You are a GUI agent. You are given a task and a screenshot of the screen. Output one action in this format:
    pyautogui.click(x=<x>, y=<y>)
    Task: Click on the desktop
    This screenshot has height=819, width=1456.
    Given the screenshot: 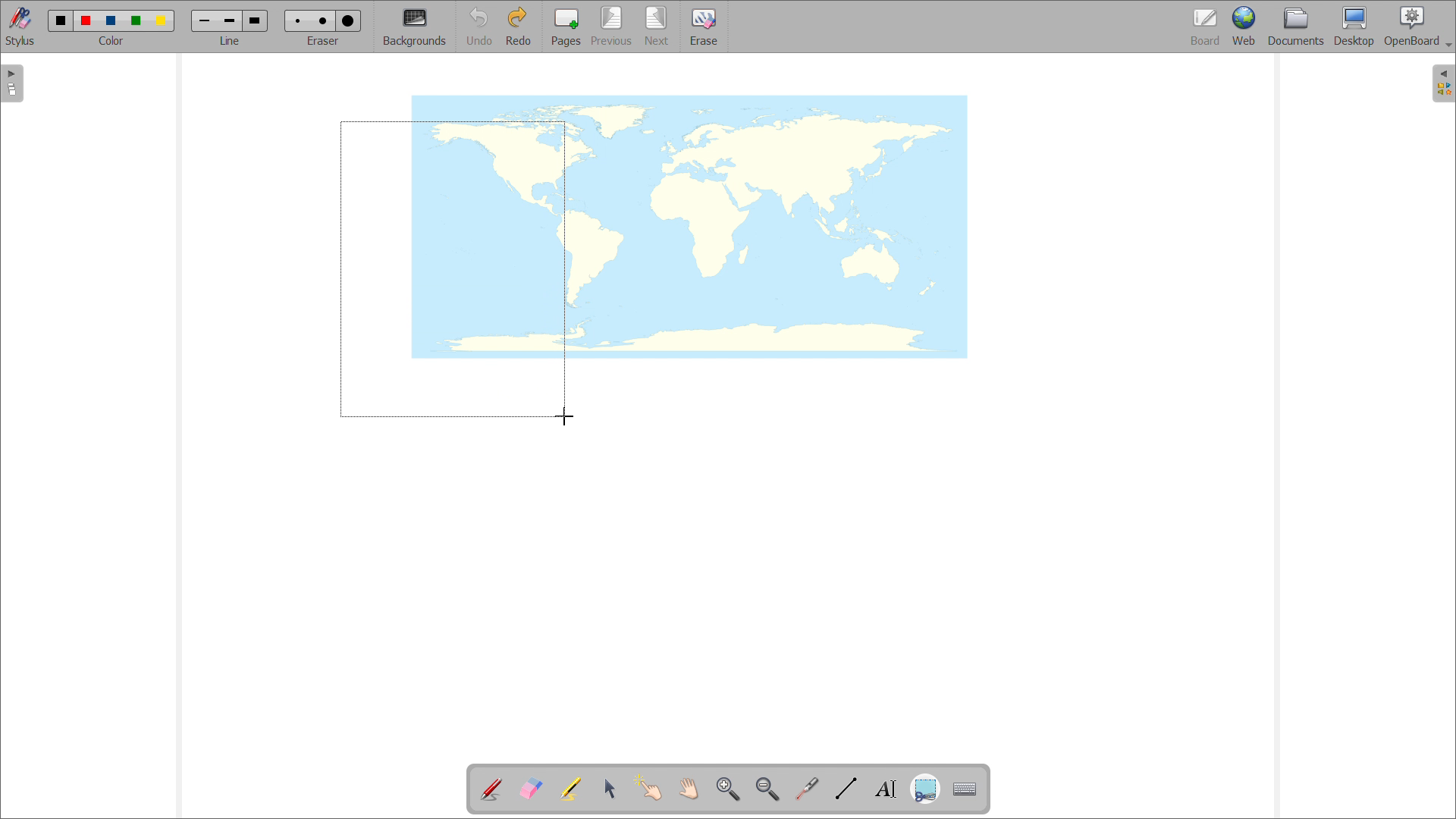 What is the action you would take?
    pyautogui.click(x=1354, y=26)
    